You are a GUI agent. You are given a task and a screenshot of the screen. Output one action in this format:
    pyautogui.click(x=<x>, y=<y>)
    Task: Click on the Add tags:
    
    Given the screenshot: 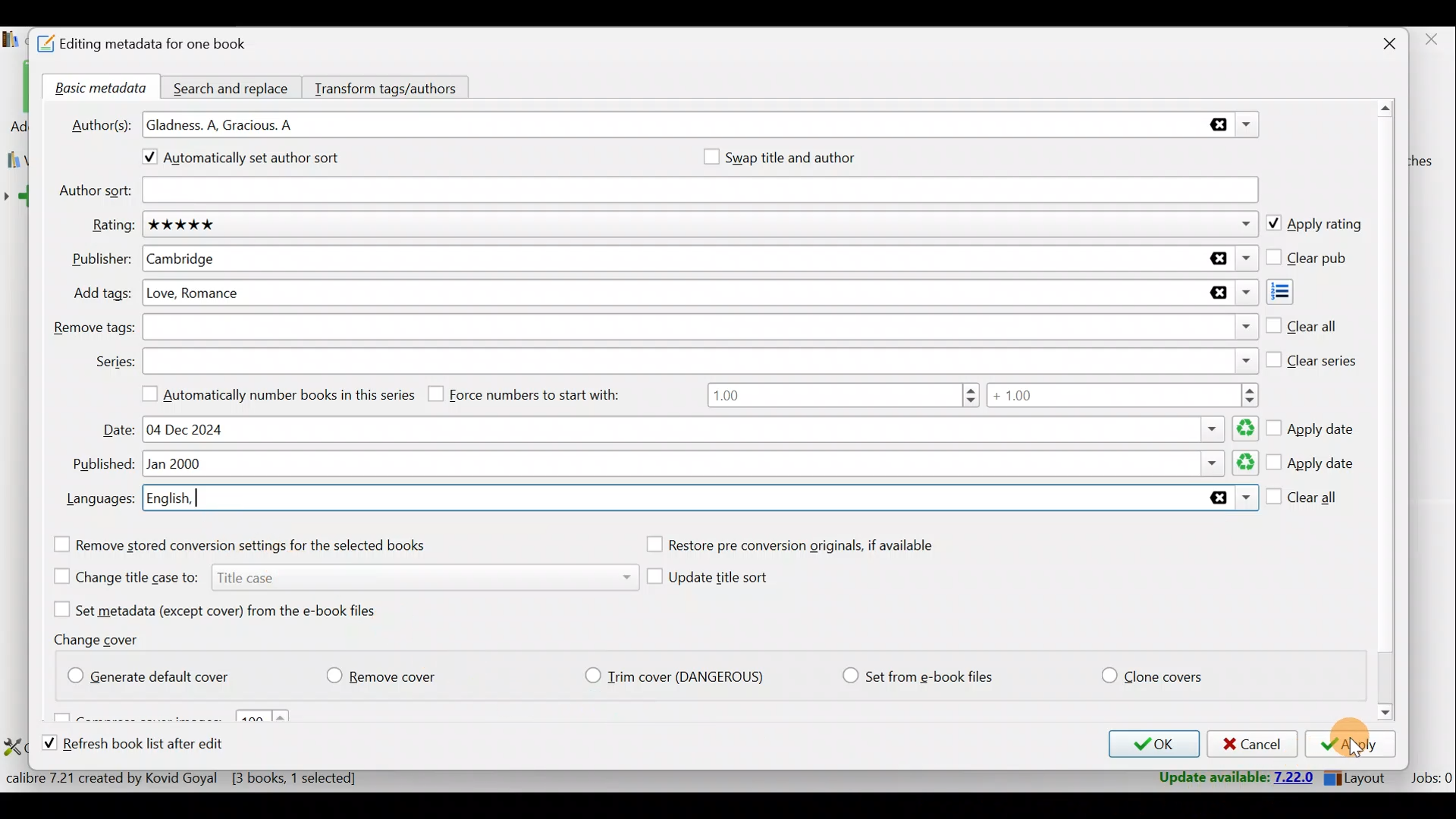 What is the action you would take?
    pyautogui.click(x=102, y=293)
    